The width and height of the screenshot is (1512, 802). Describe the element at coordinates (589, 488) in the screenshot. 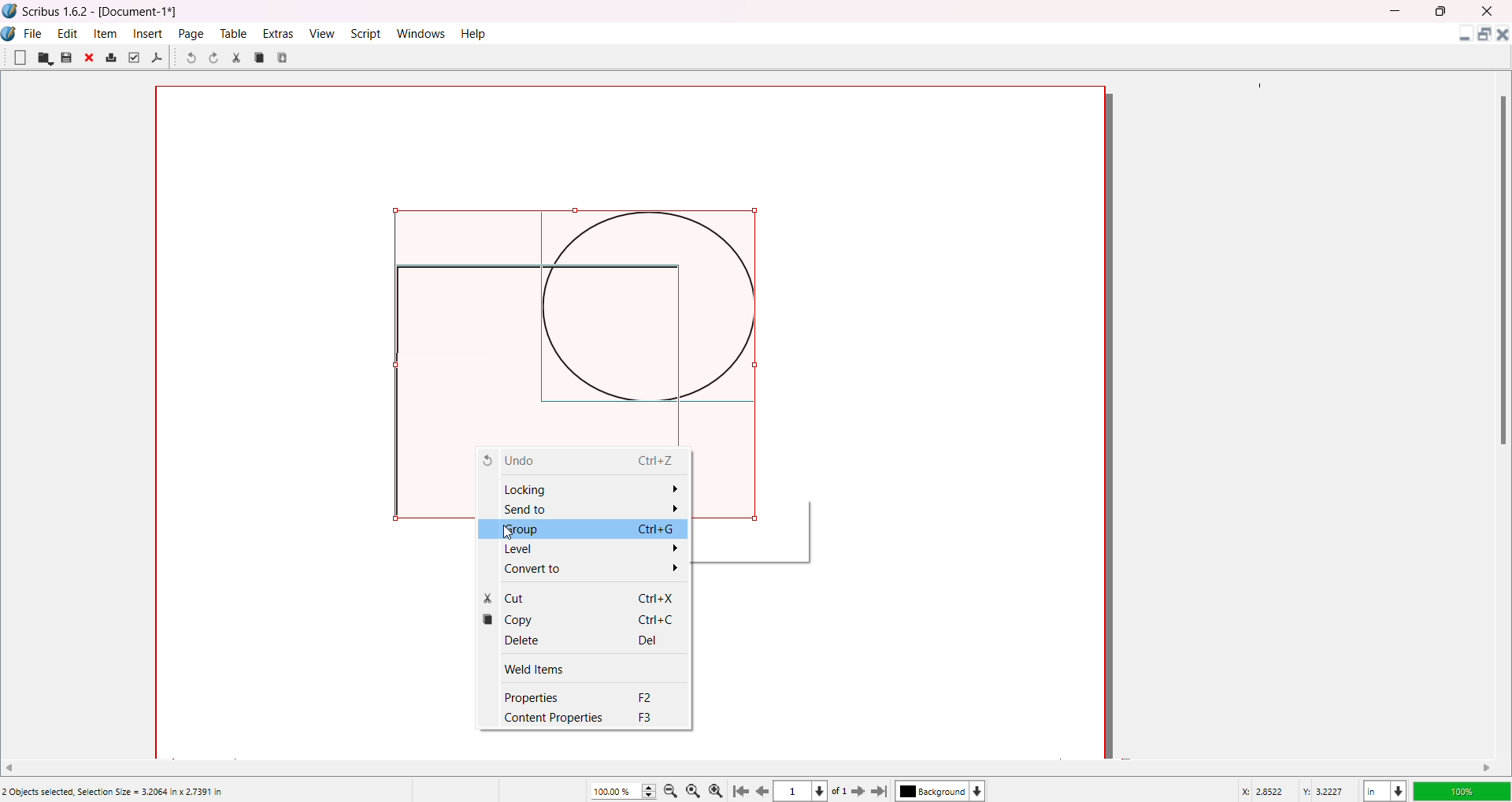

I see `locking` at that location.